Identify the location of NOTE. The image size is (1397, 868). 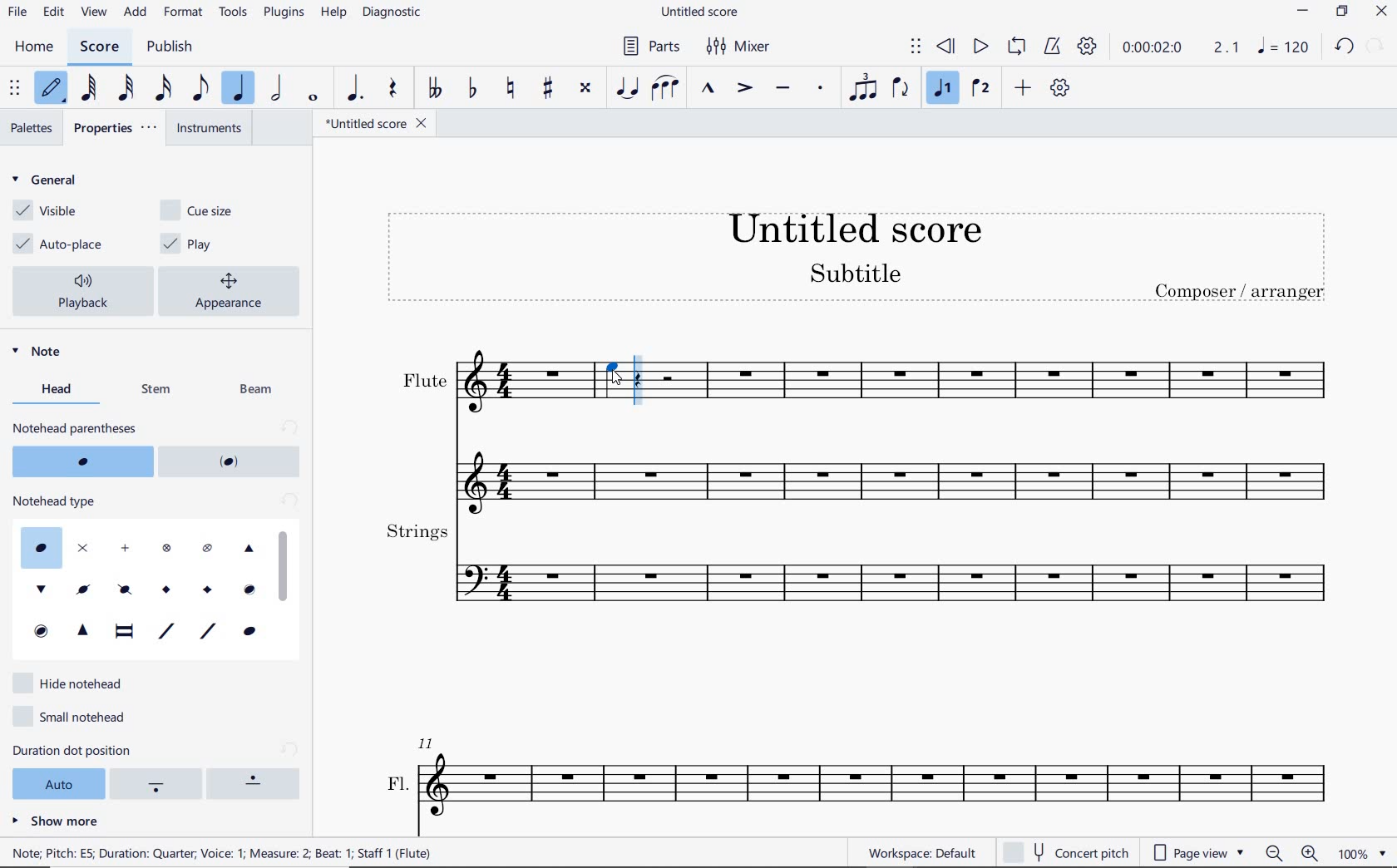
(51, 356).